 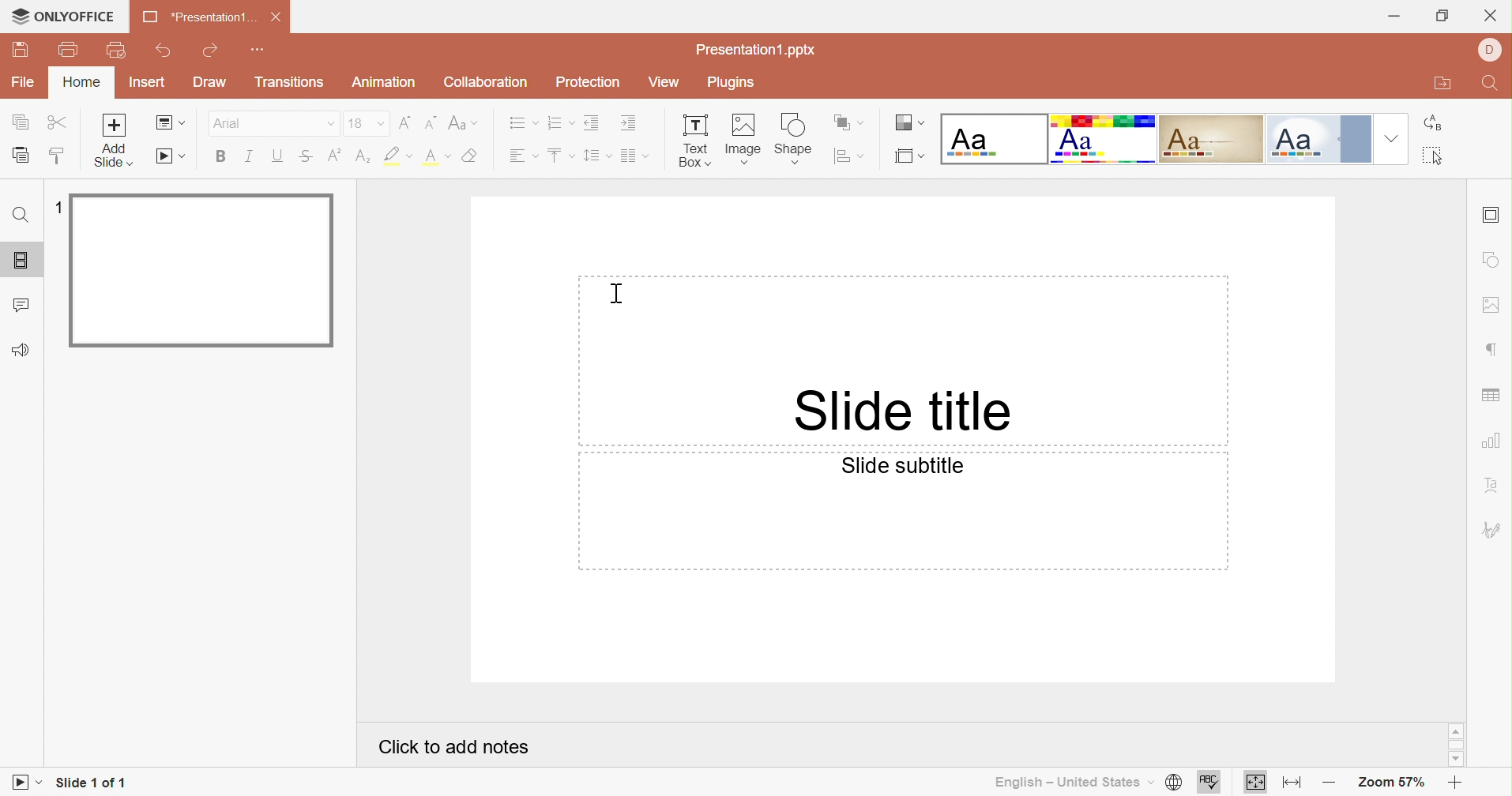 I want to click on Fit to slide, so click(x=1256, y=783).